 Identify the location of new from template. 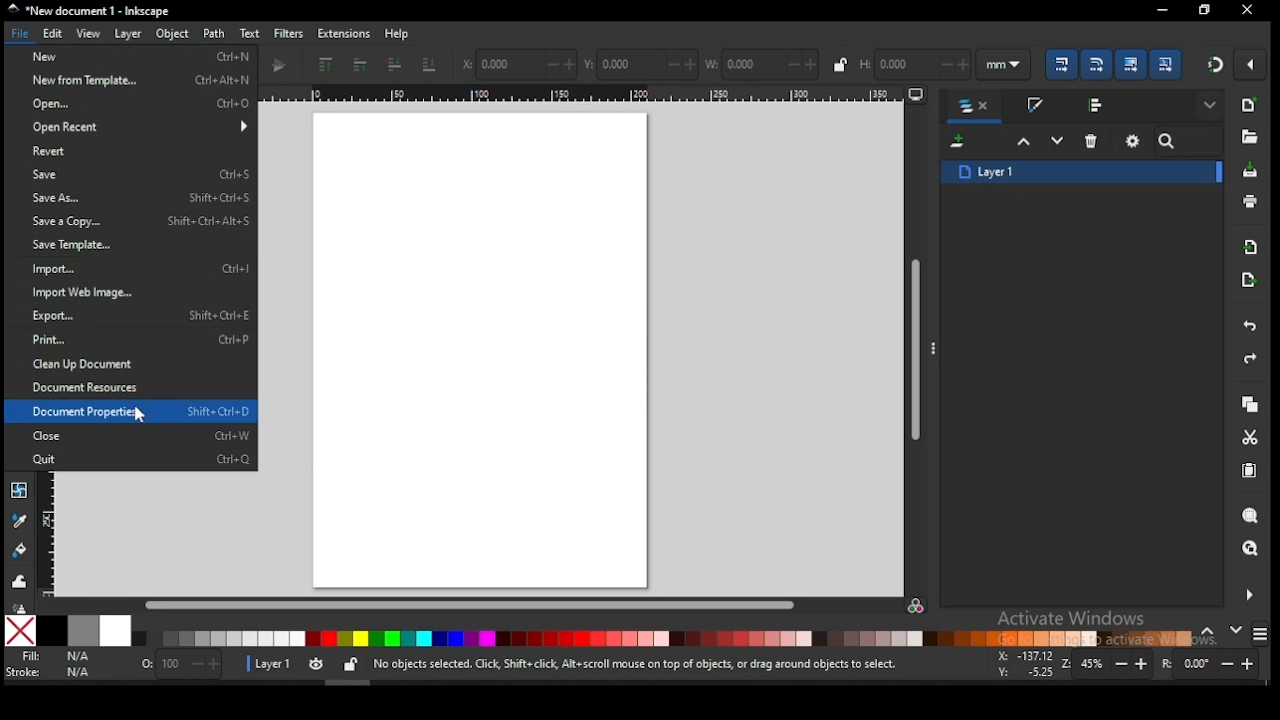
(136, 79).